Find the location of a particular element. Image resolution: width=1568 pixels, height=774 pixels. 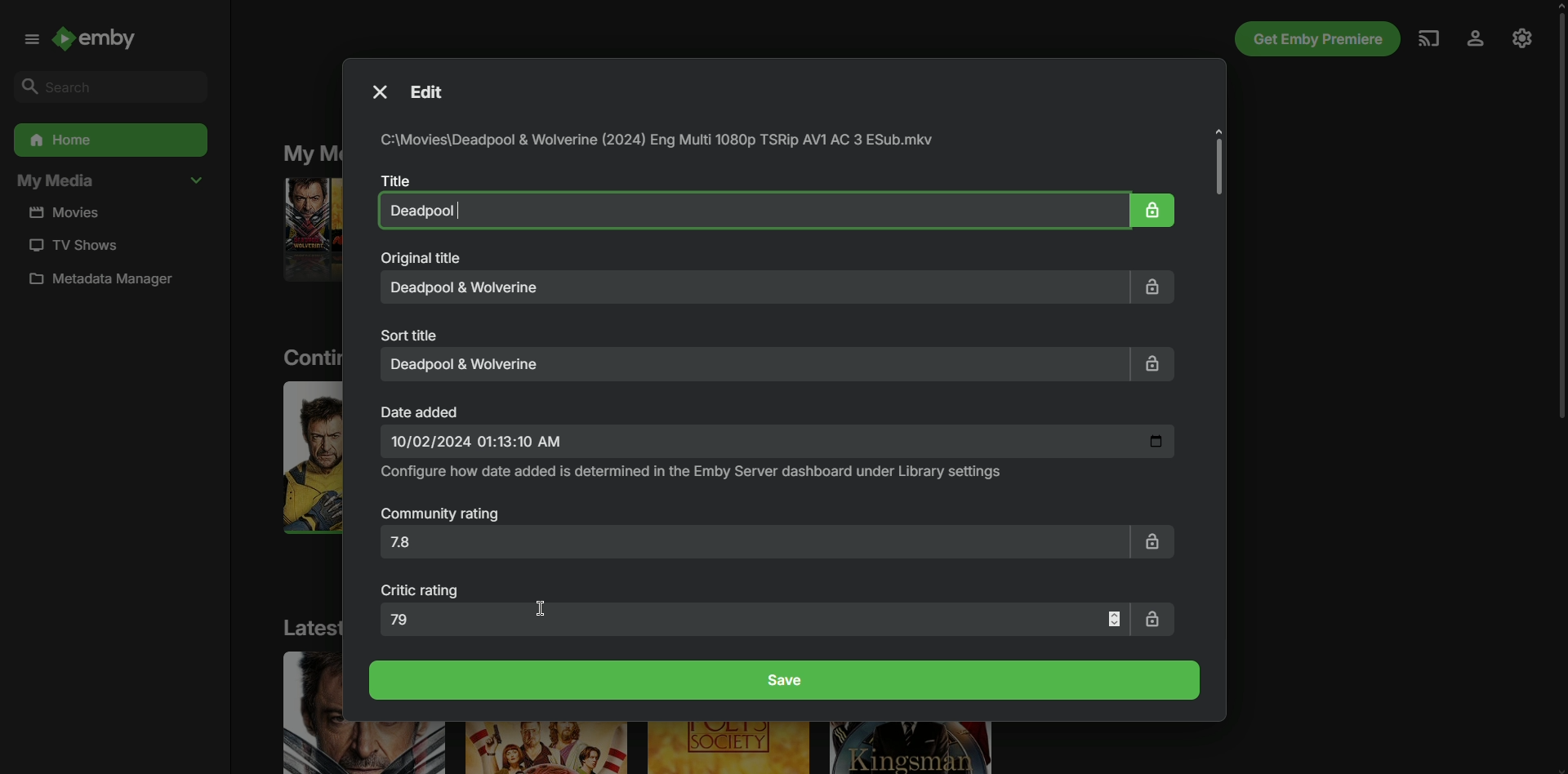

Lock is located at coordinates (1154, 208).